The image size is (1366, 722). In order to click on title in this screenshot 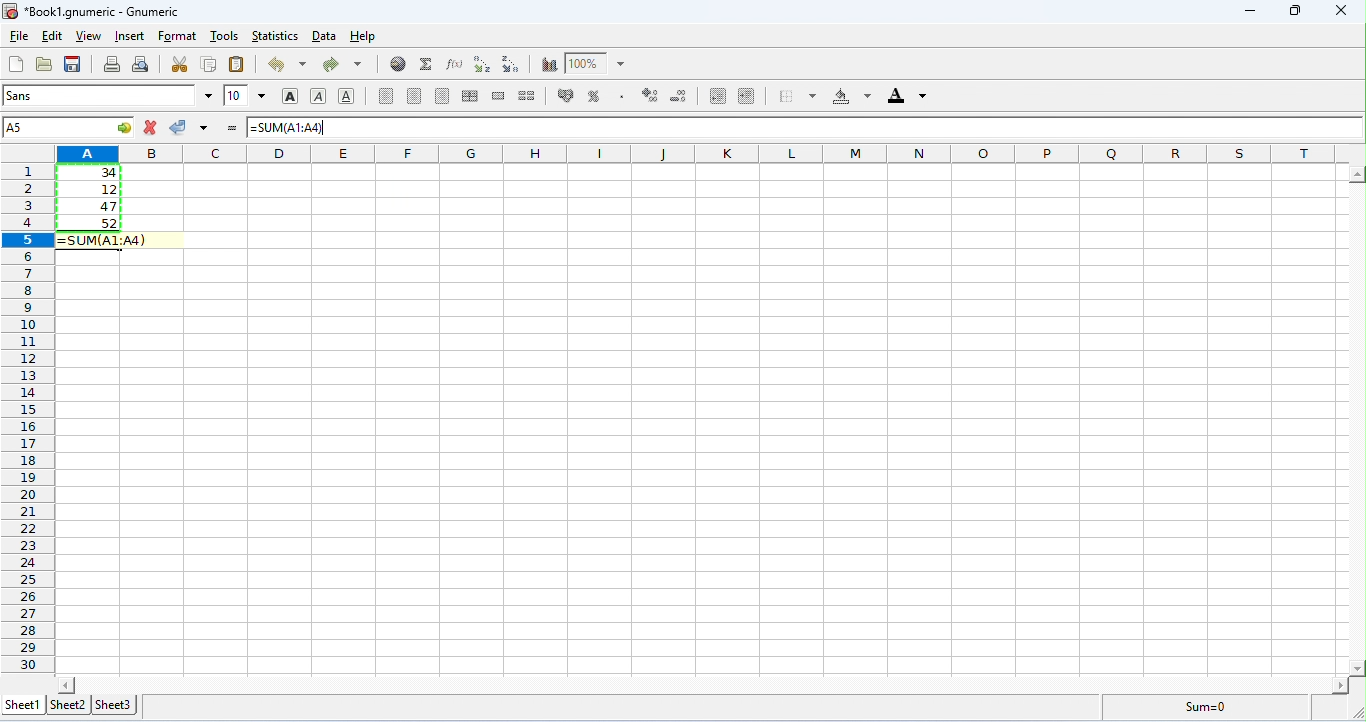, I will do `click(90, 12)`.